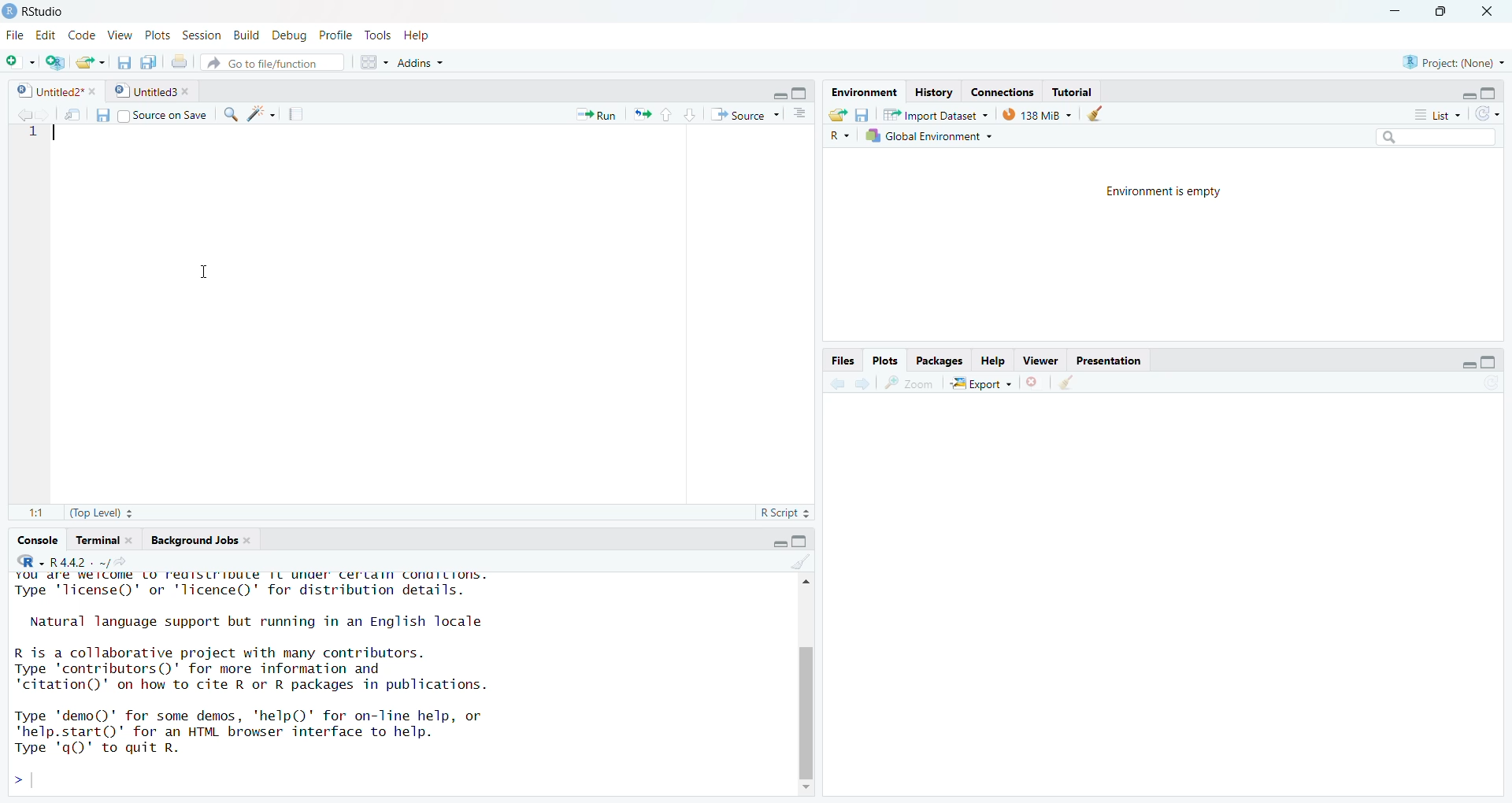  What do you see at coordinates (1462, 360) in the screenshot?
I see `maximize/minimize` at bounding box center [1462, 360].